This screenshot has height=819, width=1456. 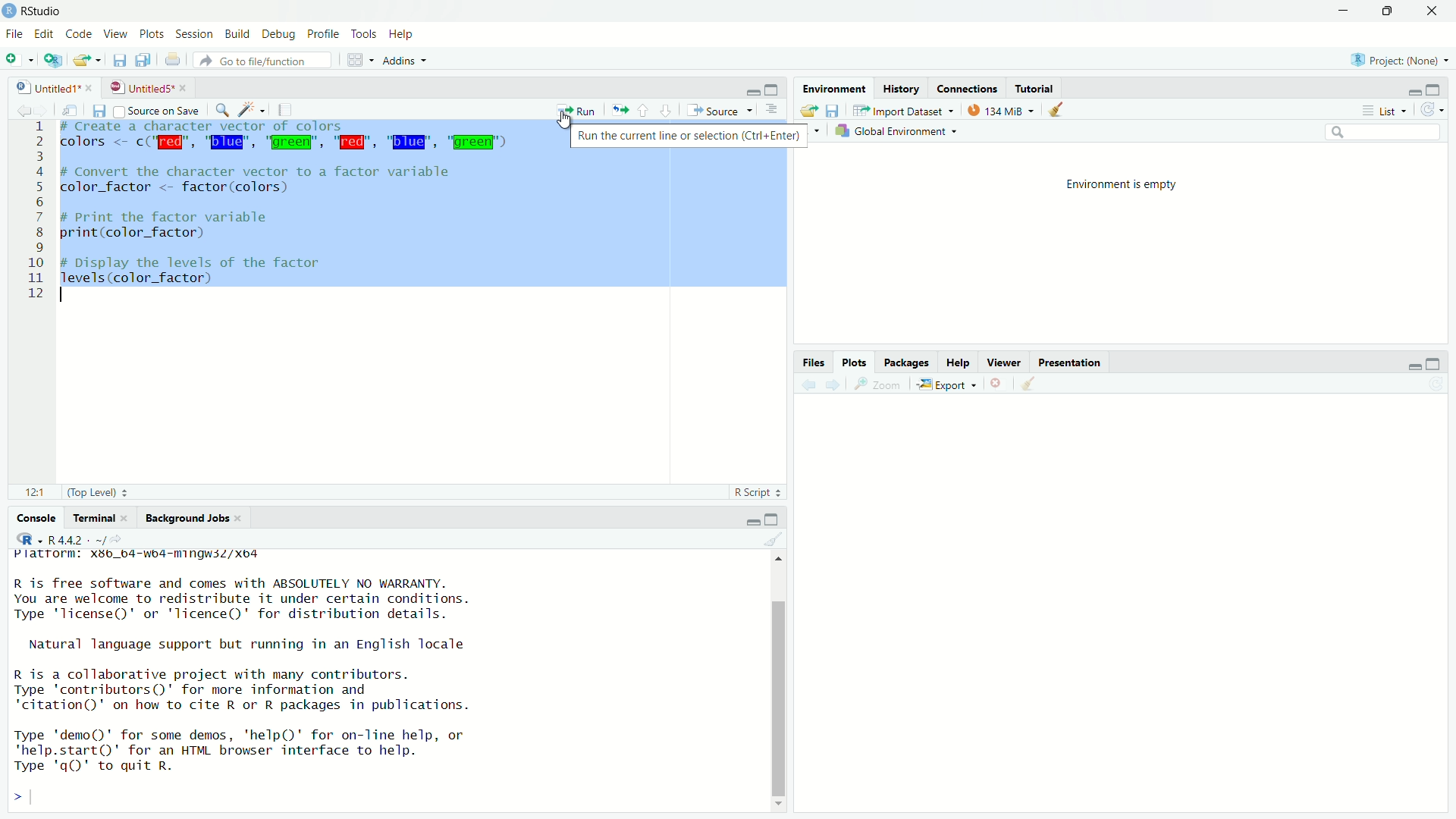 What do you see at coordinates (359, 60) in the screenshot?
I see `workspace panes` at bounding box center [359, 60].